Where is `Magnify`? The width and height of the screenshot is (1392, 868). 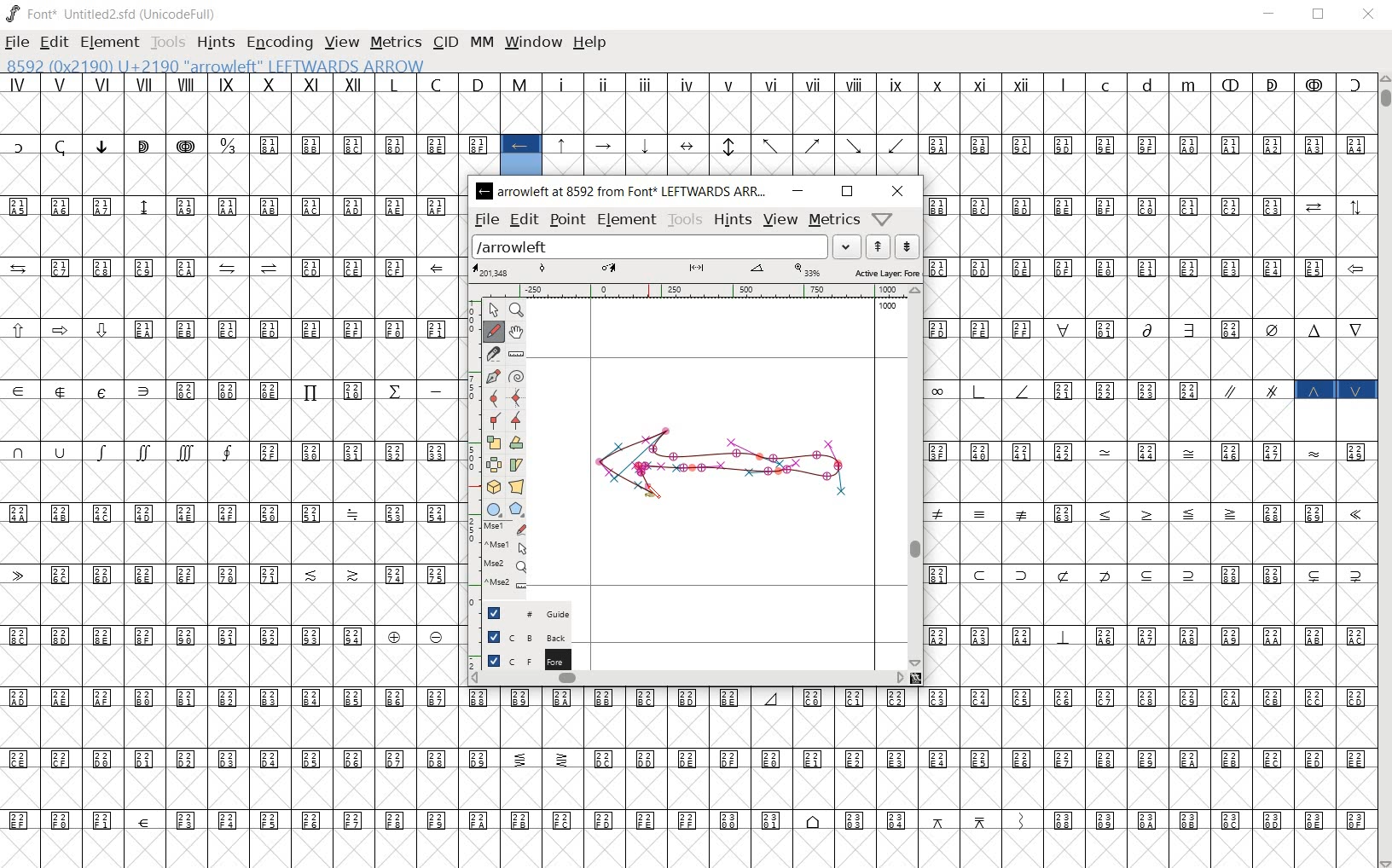 Magnify is located at coordinates (517, 310).